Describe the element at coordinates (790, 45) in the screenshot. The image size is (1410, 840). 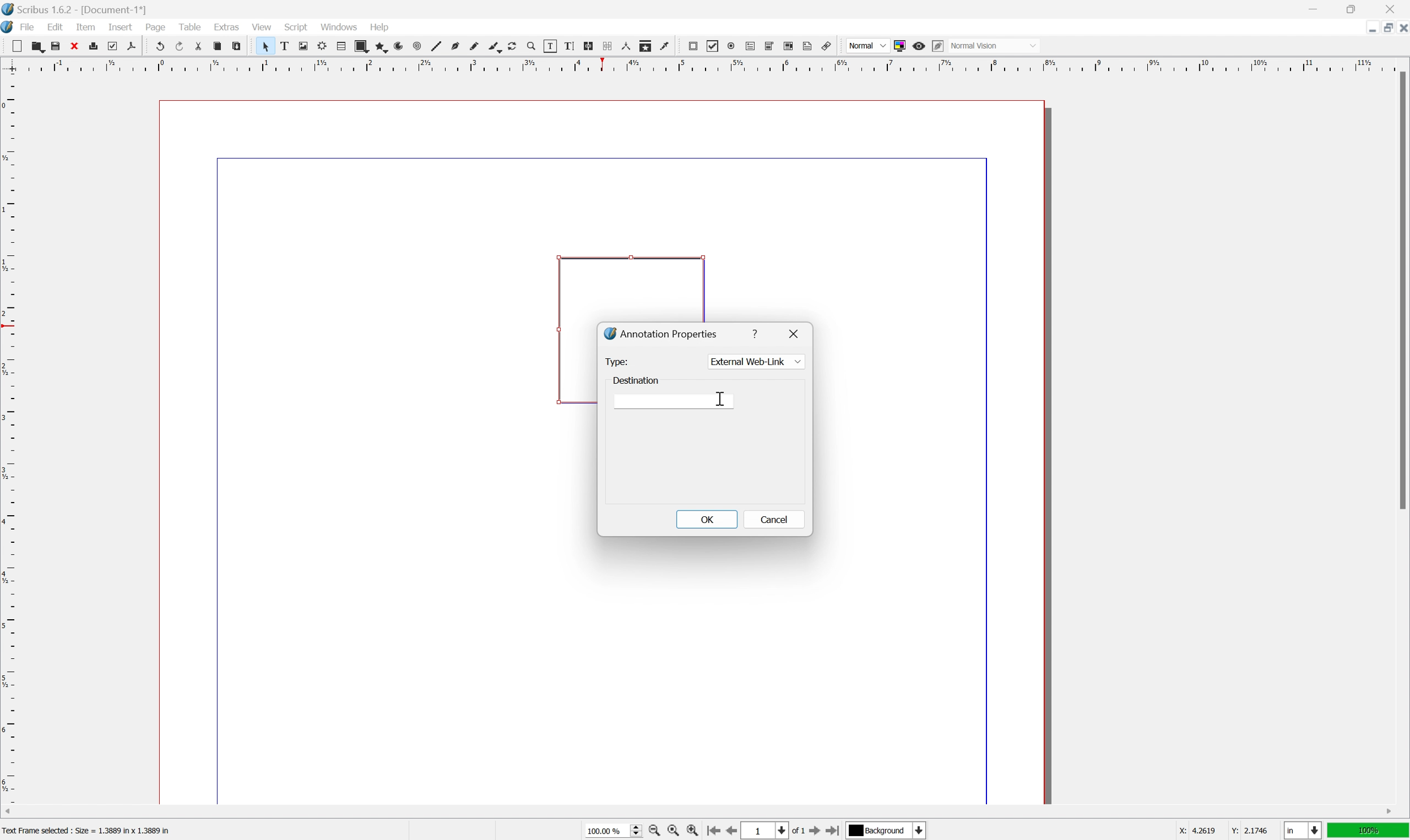
I see `pdf list box` at that location.